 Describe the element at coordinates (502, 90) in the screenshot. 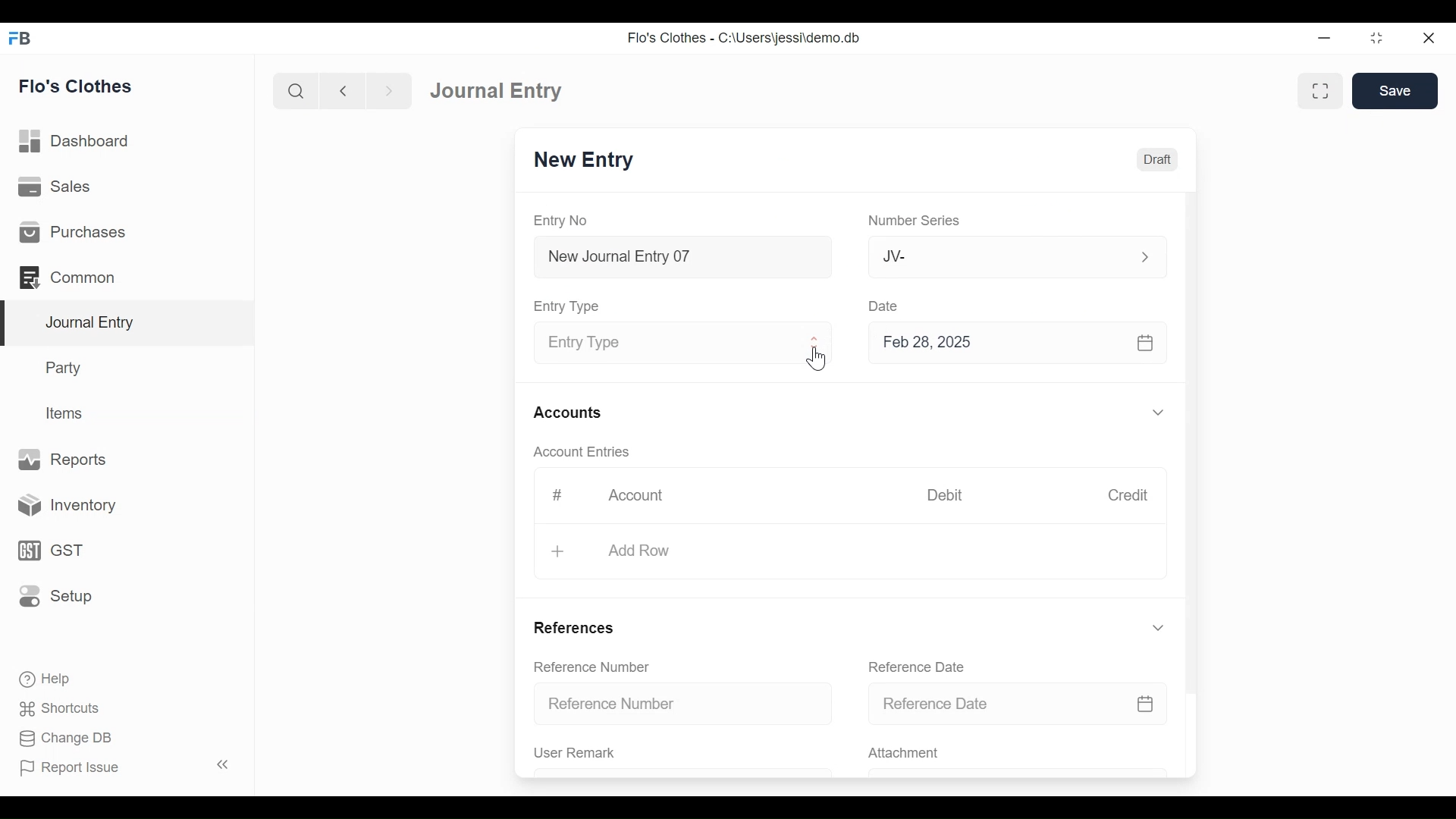

I see `Journal Entry` at that location.